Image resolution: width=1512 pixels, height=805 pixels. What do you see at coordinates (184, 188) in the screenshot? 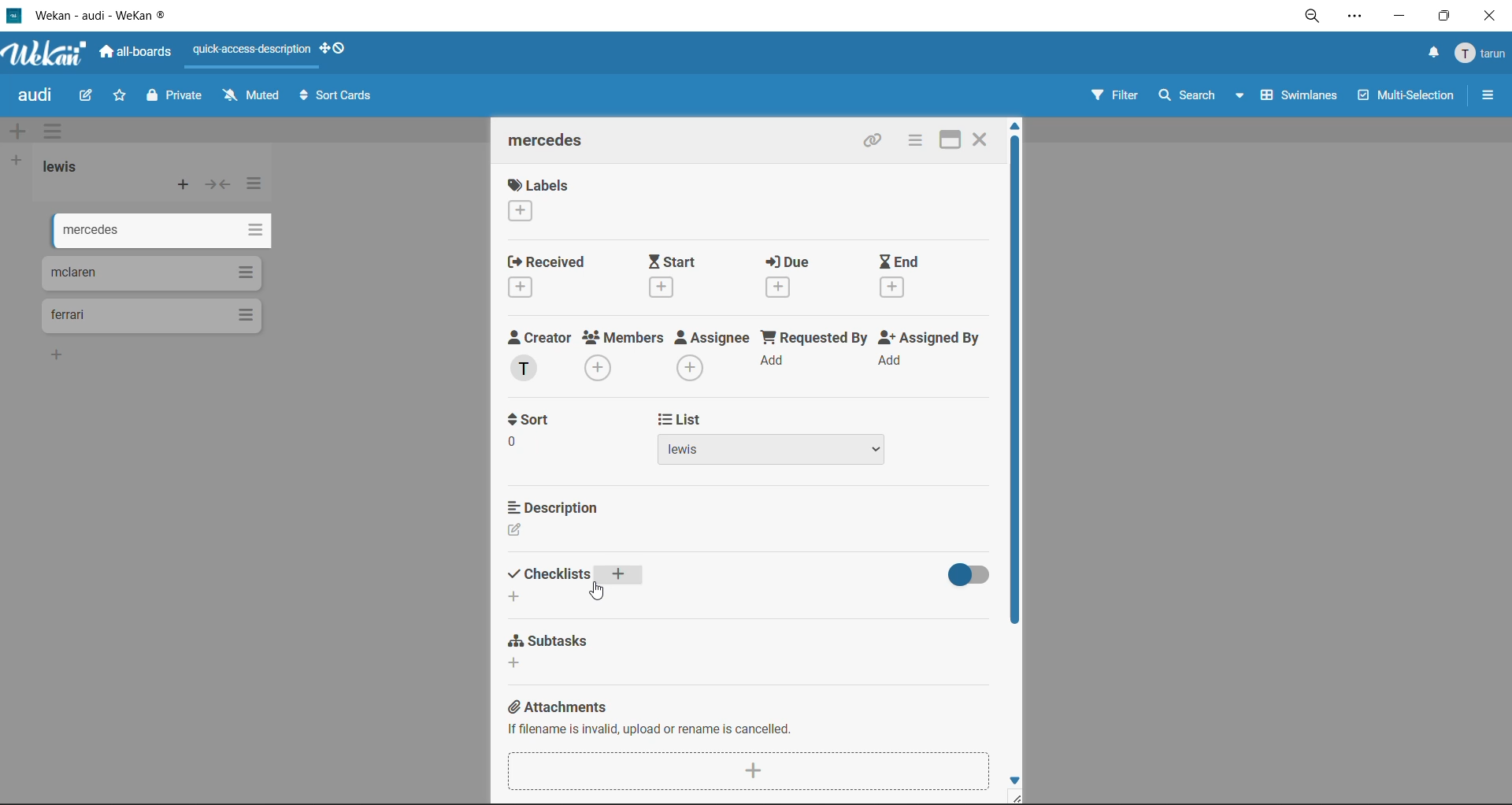
I see `add card` at bounding box center [184, 188].